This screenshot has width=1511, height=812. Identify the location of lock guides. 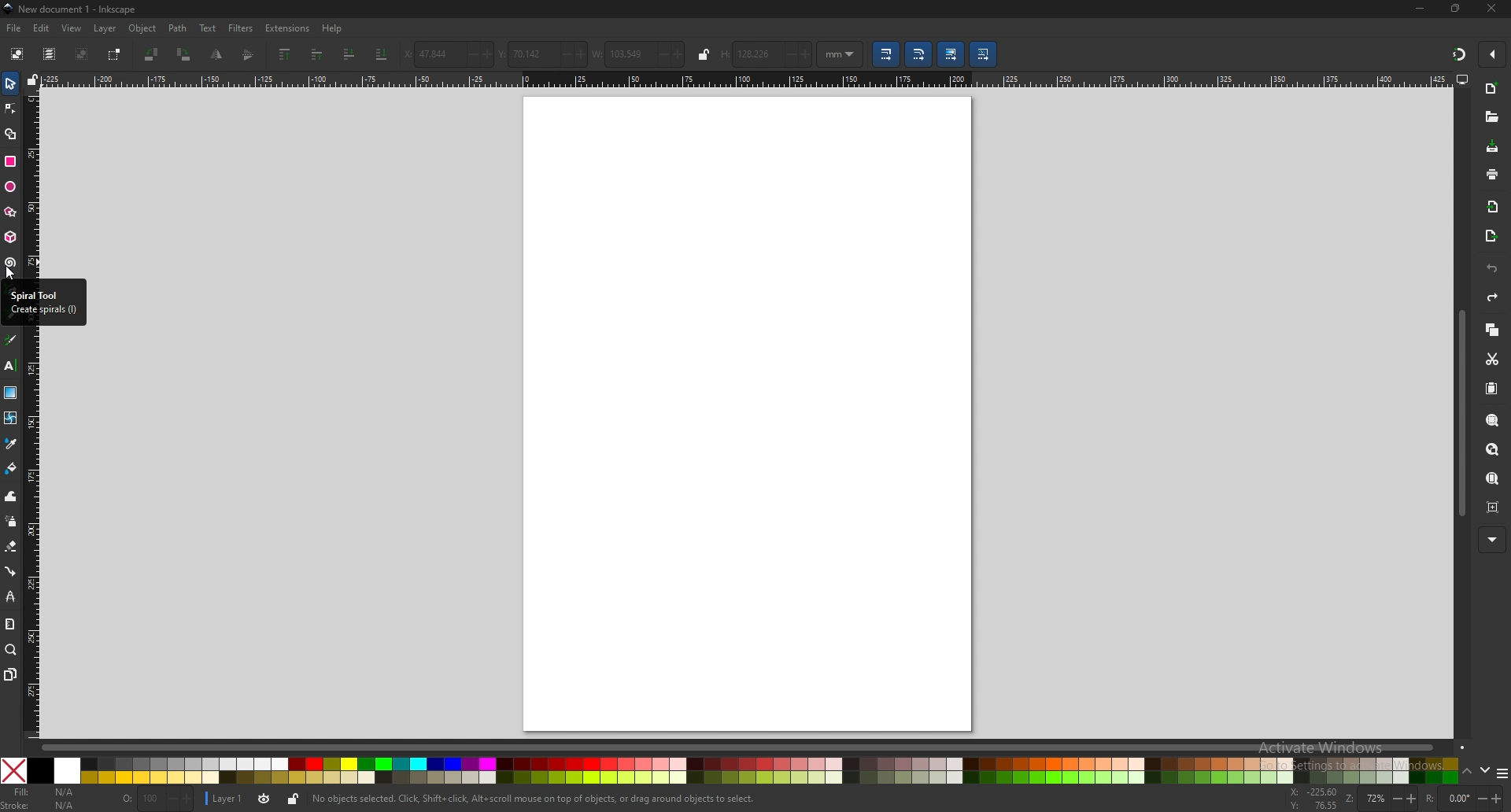
(33, 81).